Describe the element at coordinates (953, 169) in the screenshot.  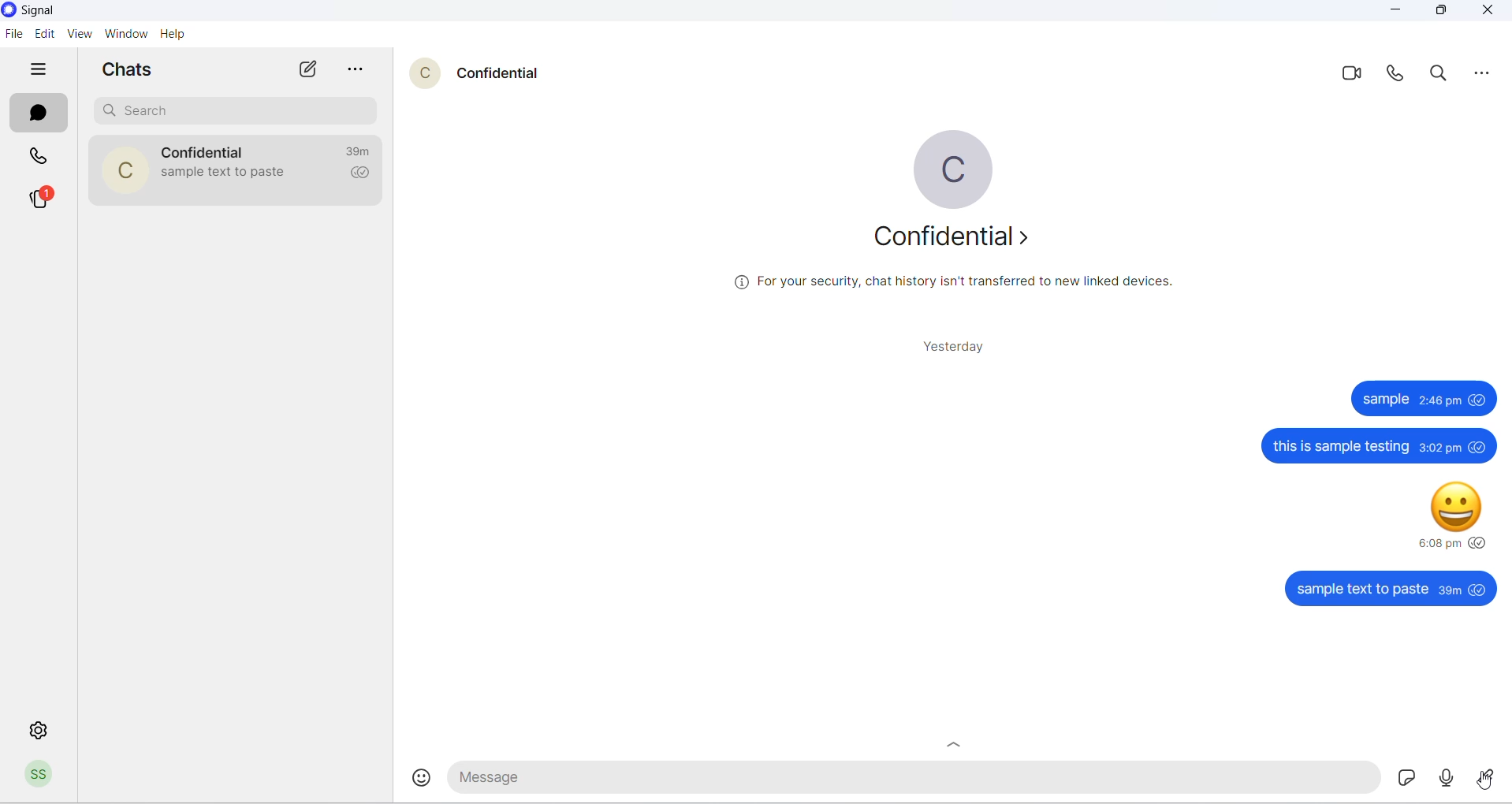
I see `profile picture` at that location.